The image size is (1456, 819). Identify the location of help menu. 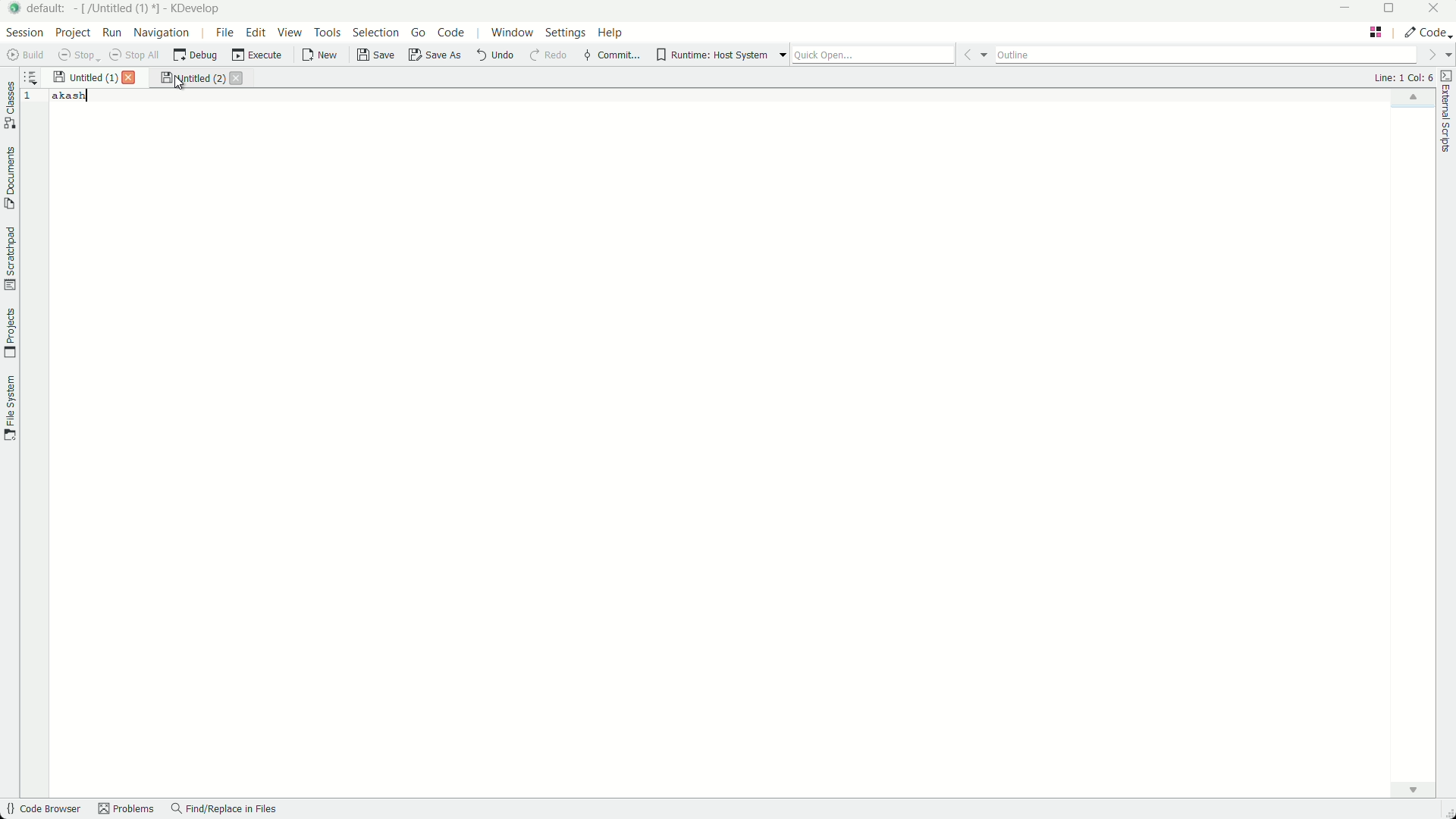
(610, 34).